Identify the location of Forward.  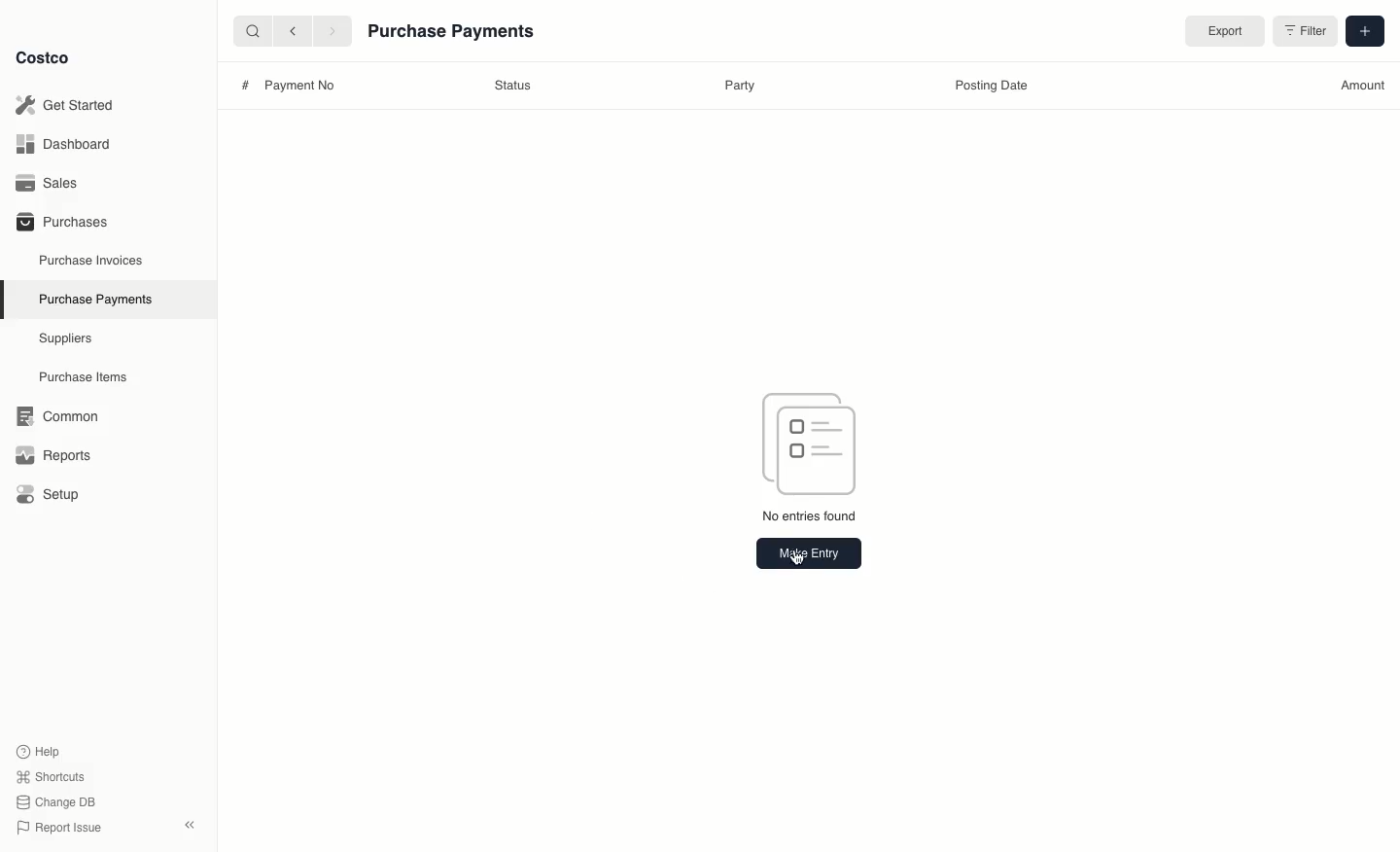
(331, 30).